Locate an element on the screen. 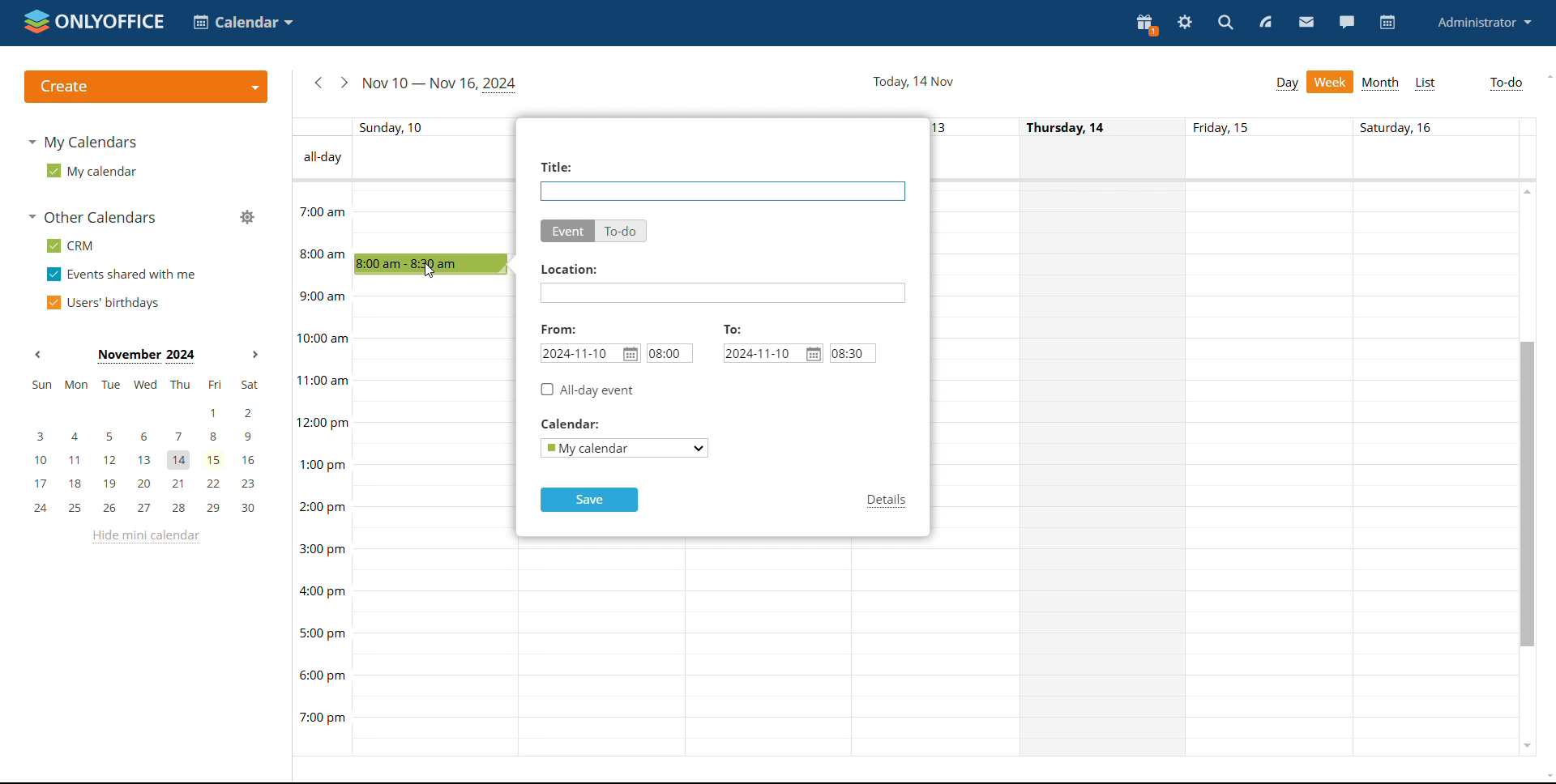 This screenshot has width=1556, height=784. scroll bar is located at coordinates (1525, 492).